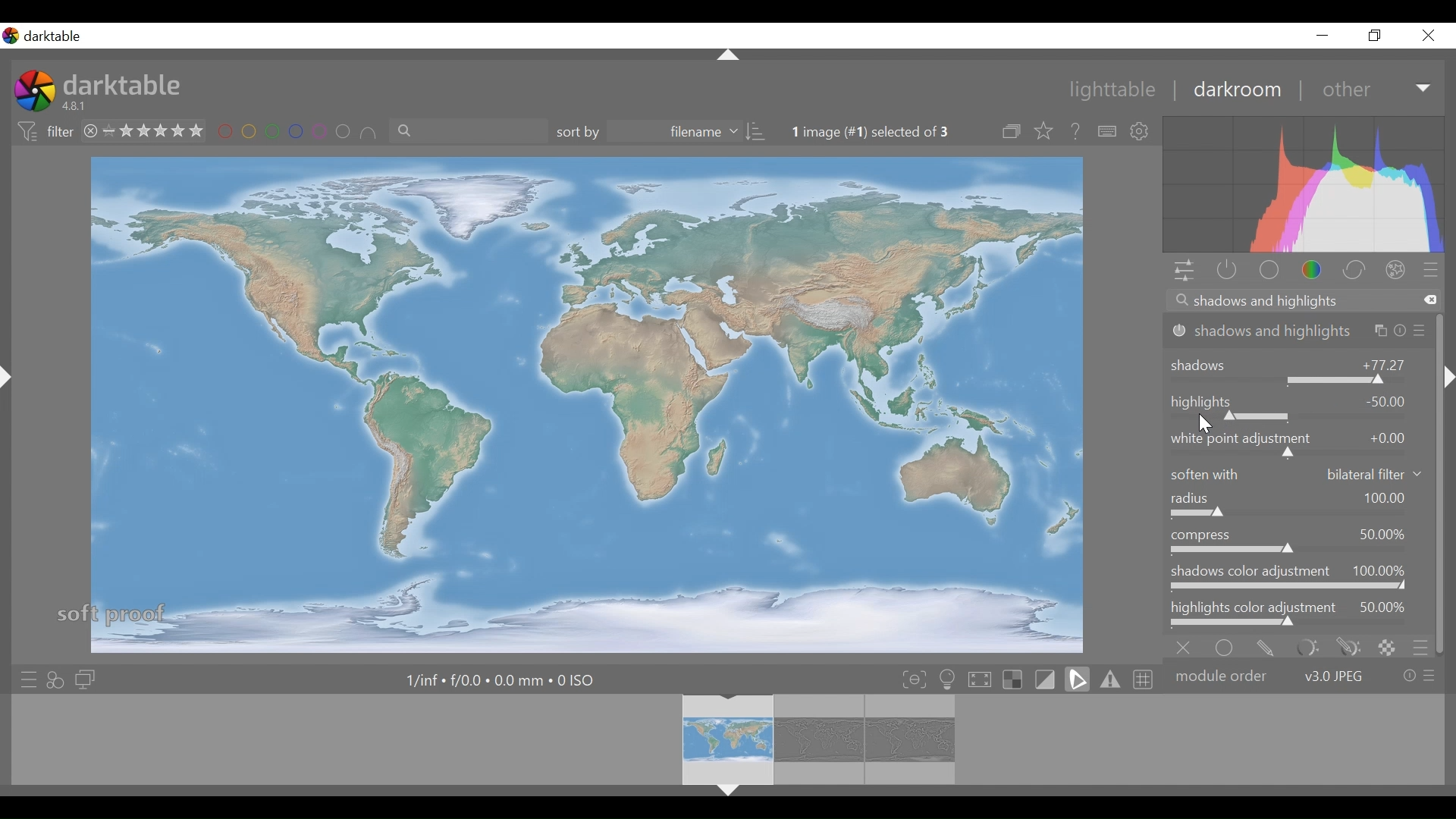 The width and height of the screenshot is (1456, 819). I want to click on help, so click(1075, 131).